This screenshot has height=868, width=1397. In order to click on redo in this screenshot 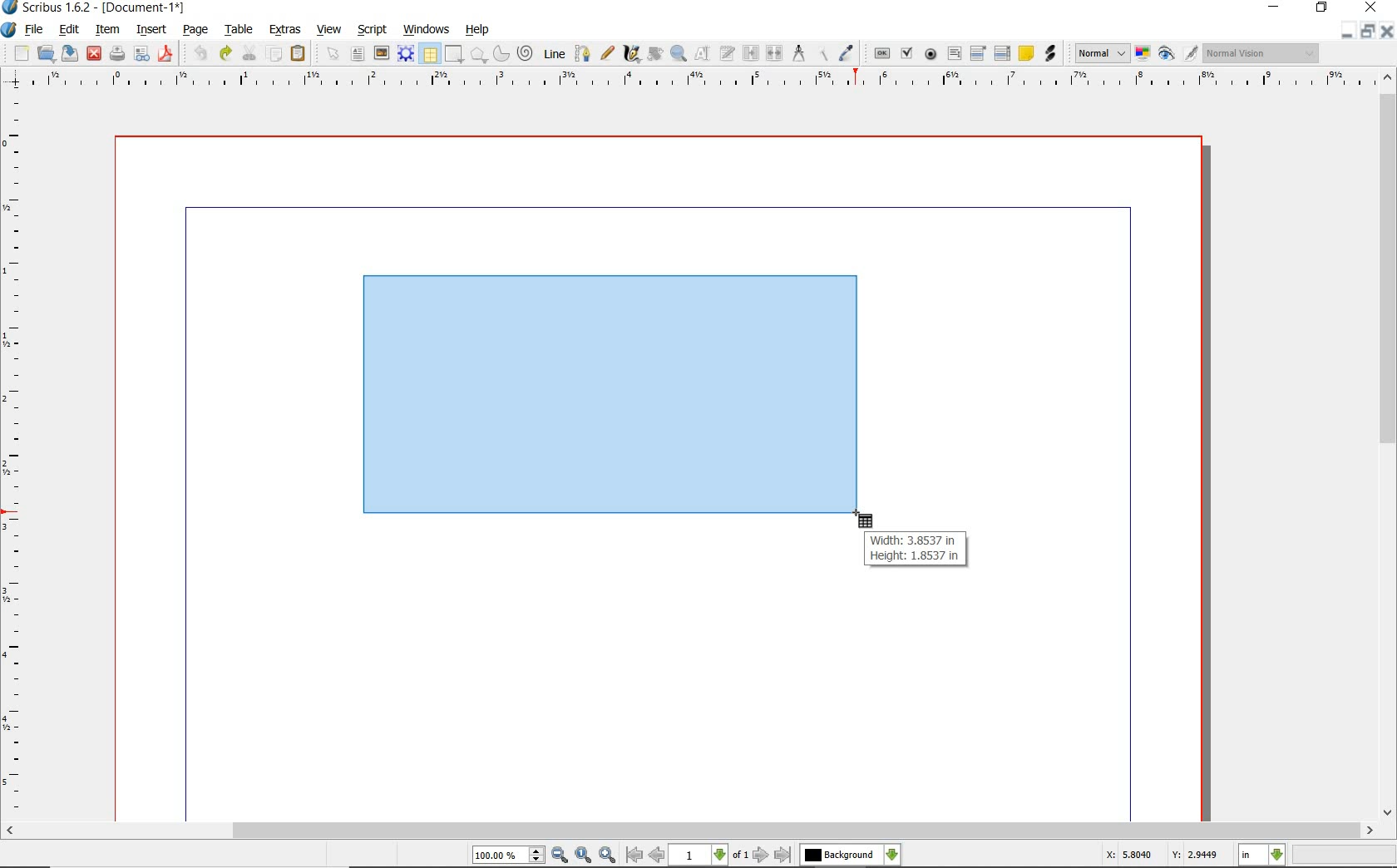, I will do `click(225, 52)`.